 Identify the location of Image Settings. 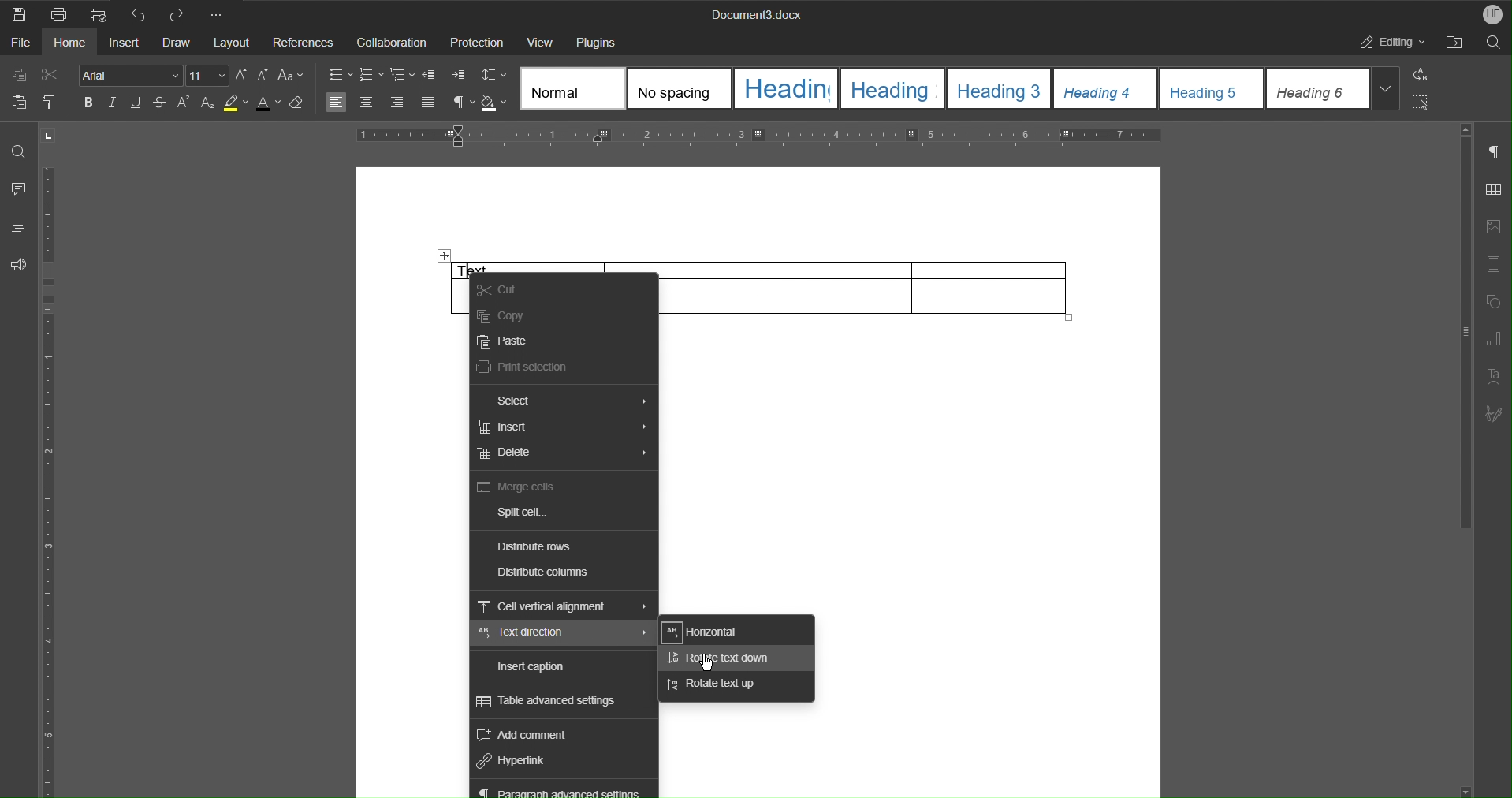
(1495, 226).